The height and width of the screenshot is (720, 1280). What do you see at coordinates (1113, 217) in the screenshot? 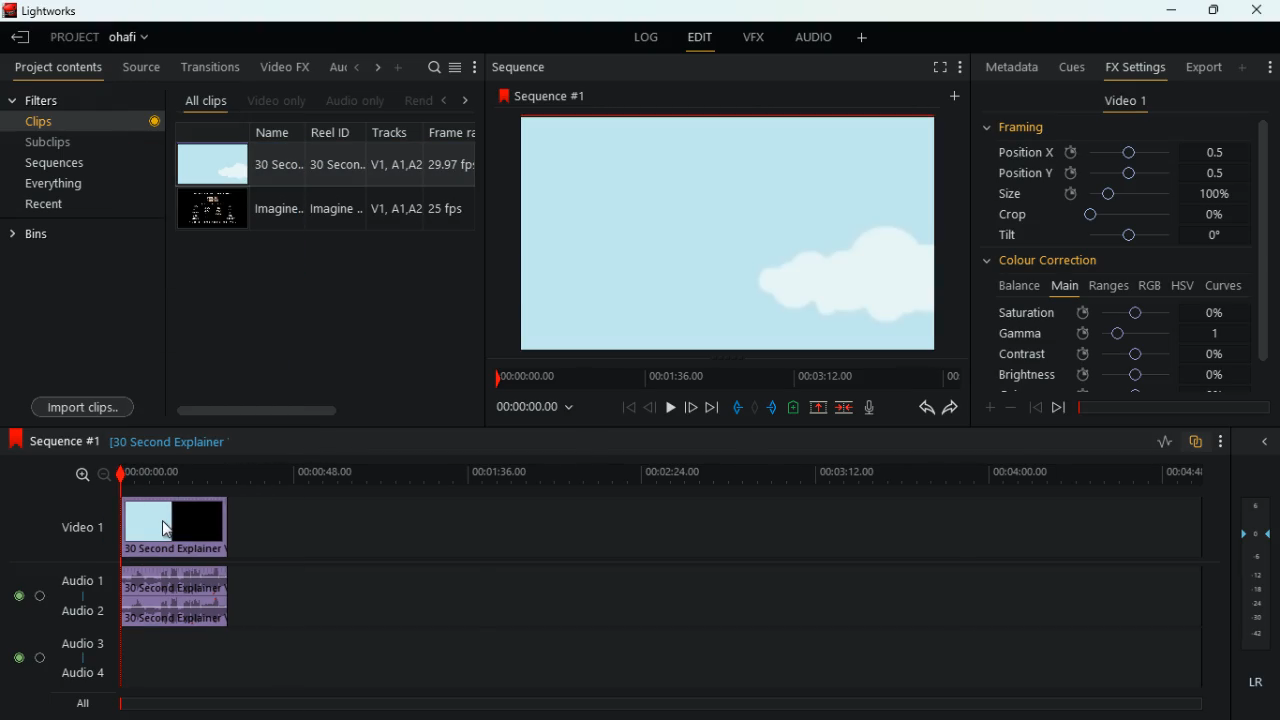
I see `crop` at bounding box center [1113, 217].